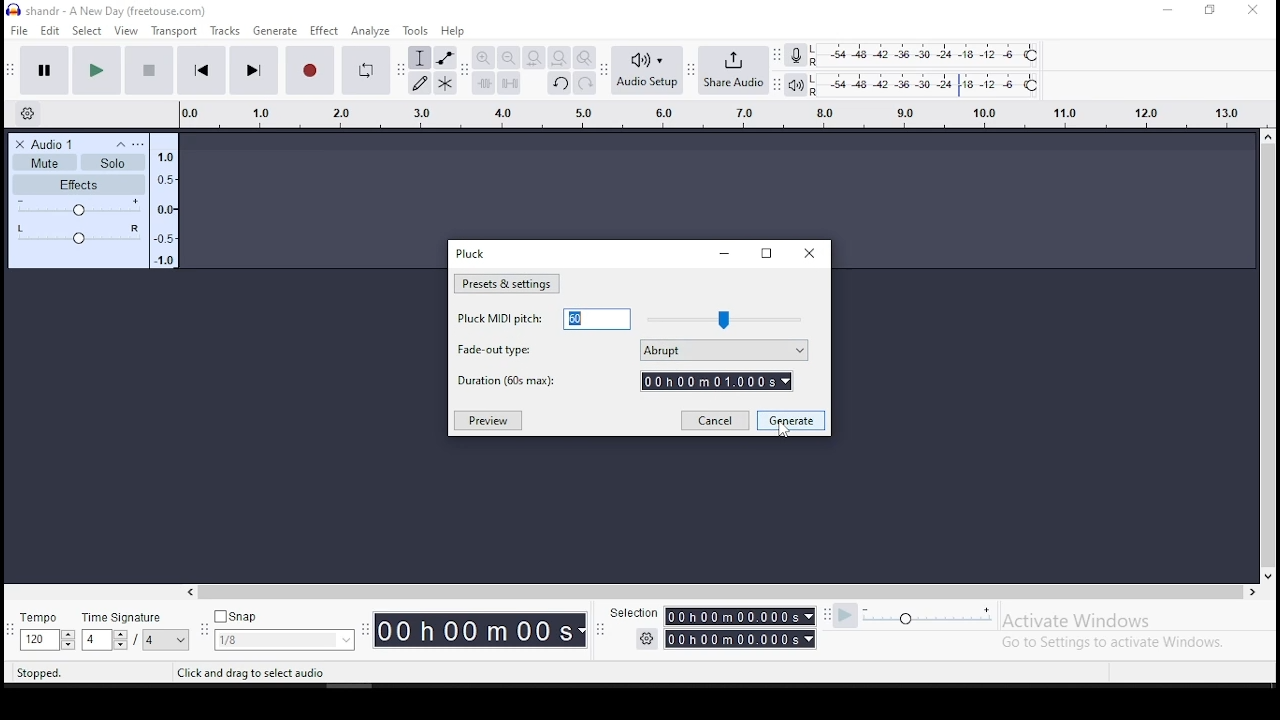 This screenshot has width=1280, height=720. I want to click on minimize, so click(726, 253).